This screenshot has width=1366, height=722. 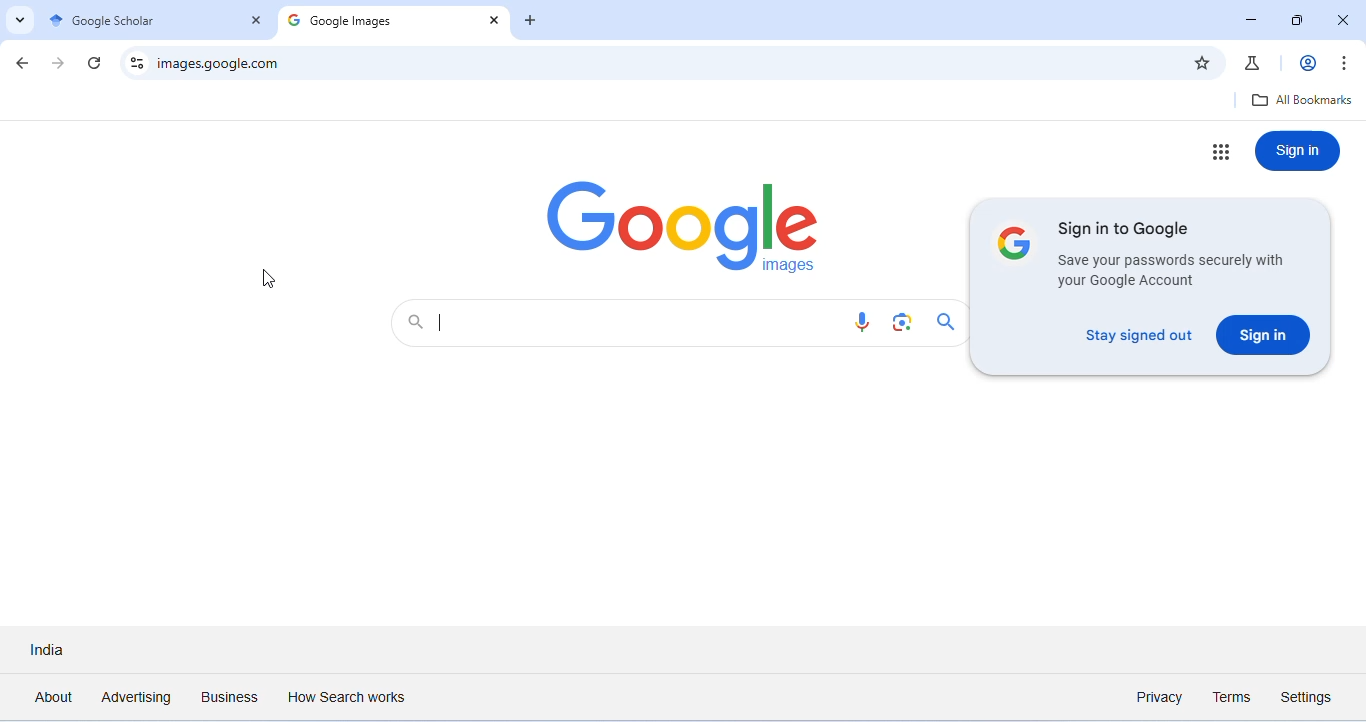 I want to click on close tab, so click(x=491, y=21).